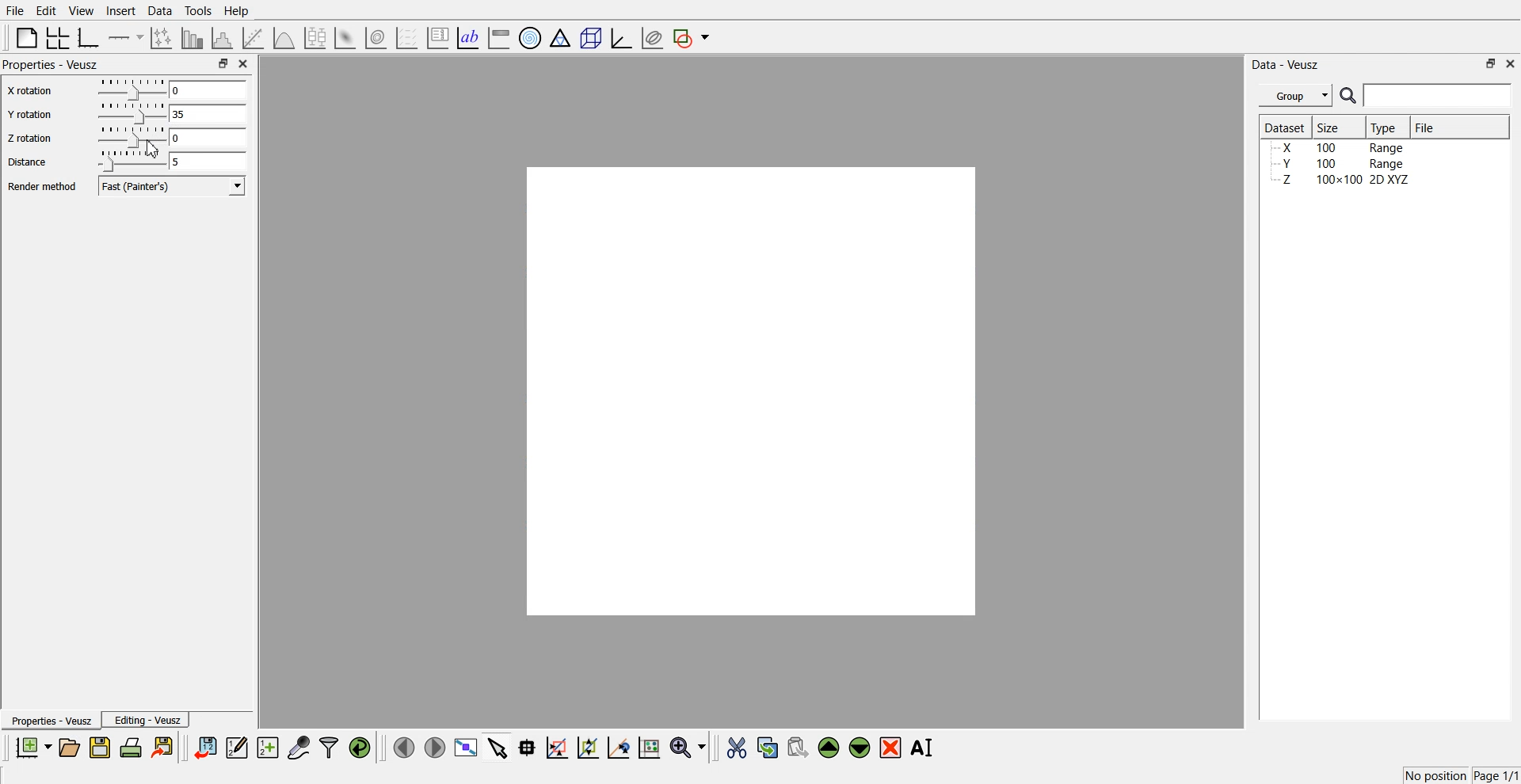 This screenshot has width=1521, height=784. What do you see at coordinates (691, 38) in the screenshot?
I see `Add shape to the plot` at bounding box center [691, 38].